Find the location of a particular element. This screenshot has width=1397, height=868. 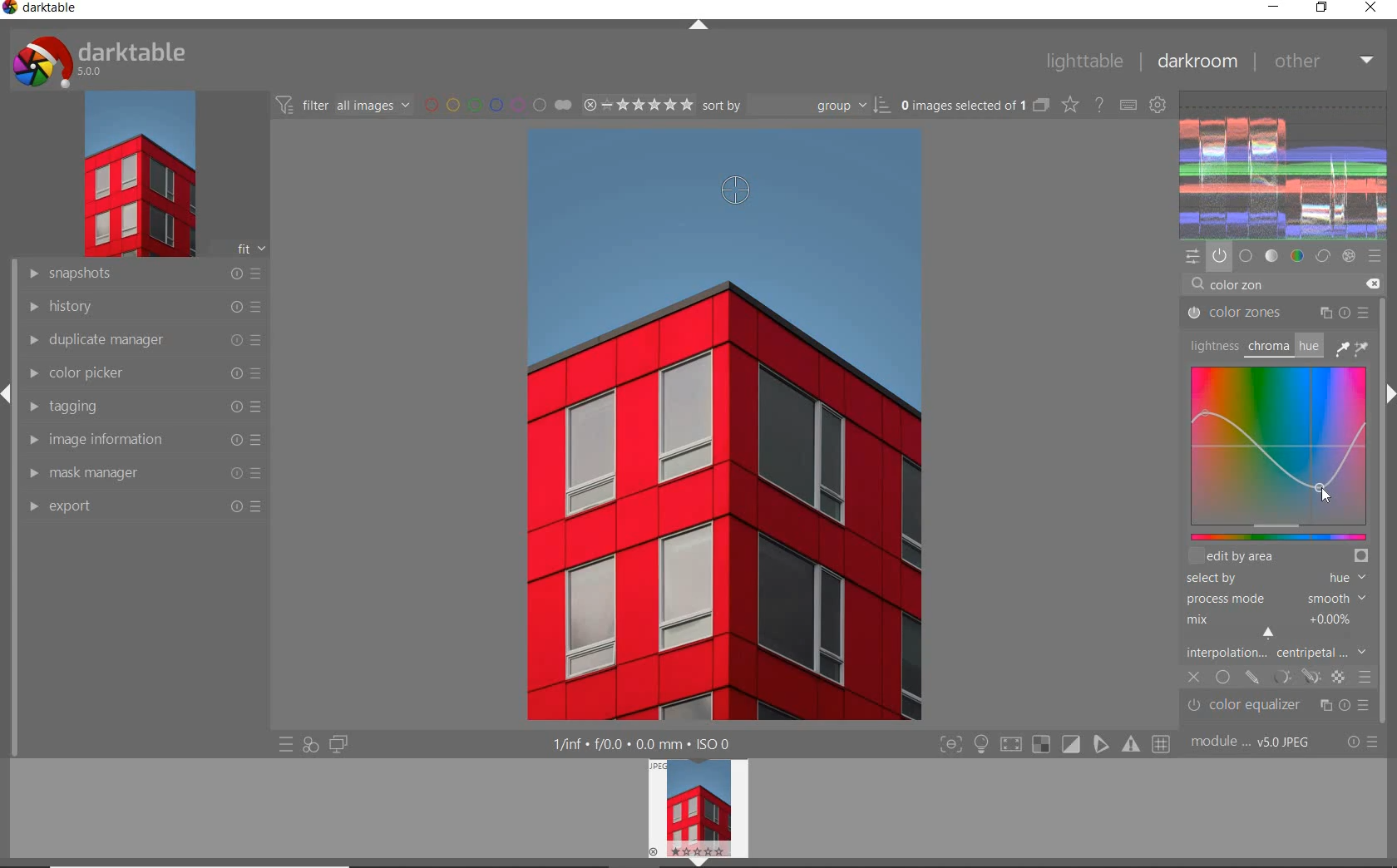

change type of overlays is located at coordinates (1072, 106).